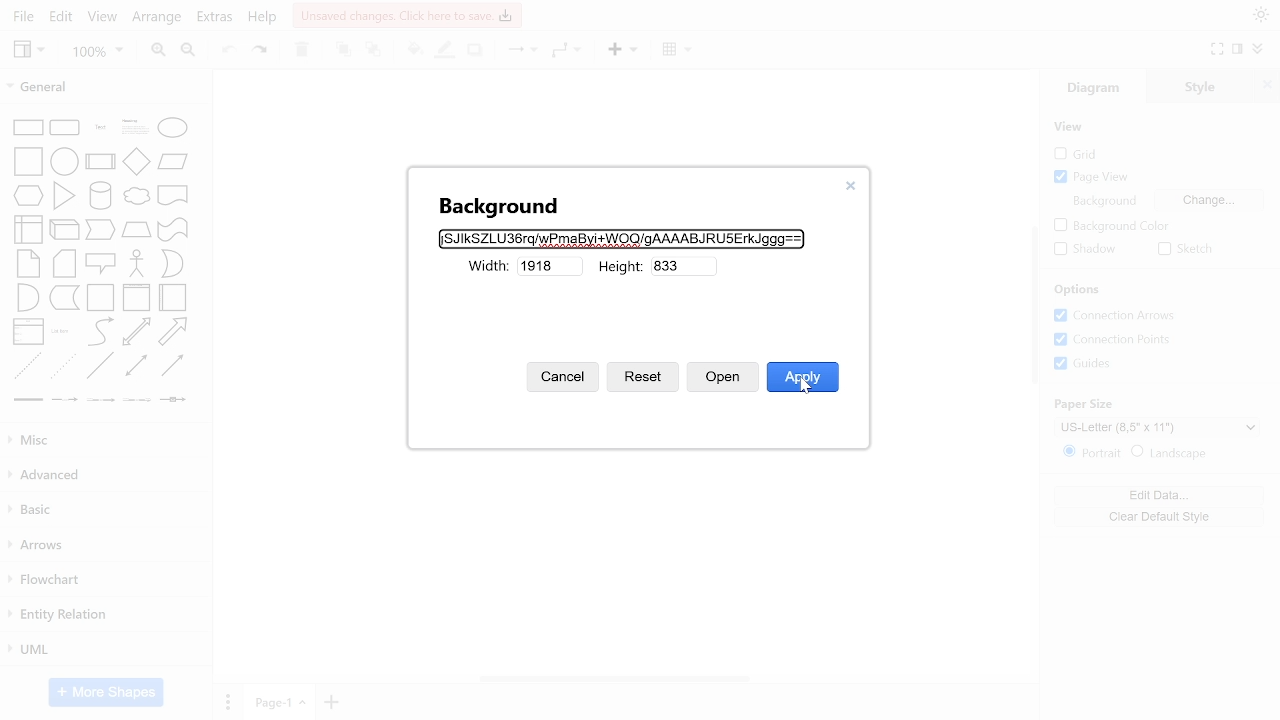  Describe the element at coordinates (1219, 49) in the screenshot. I see `full screen` at that location.